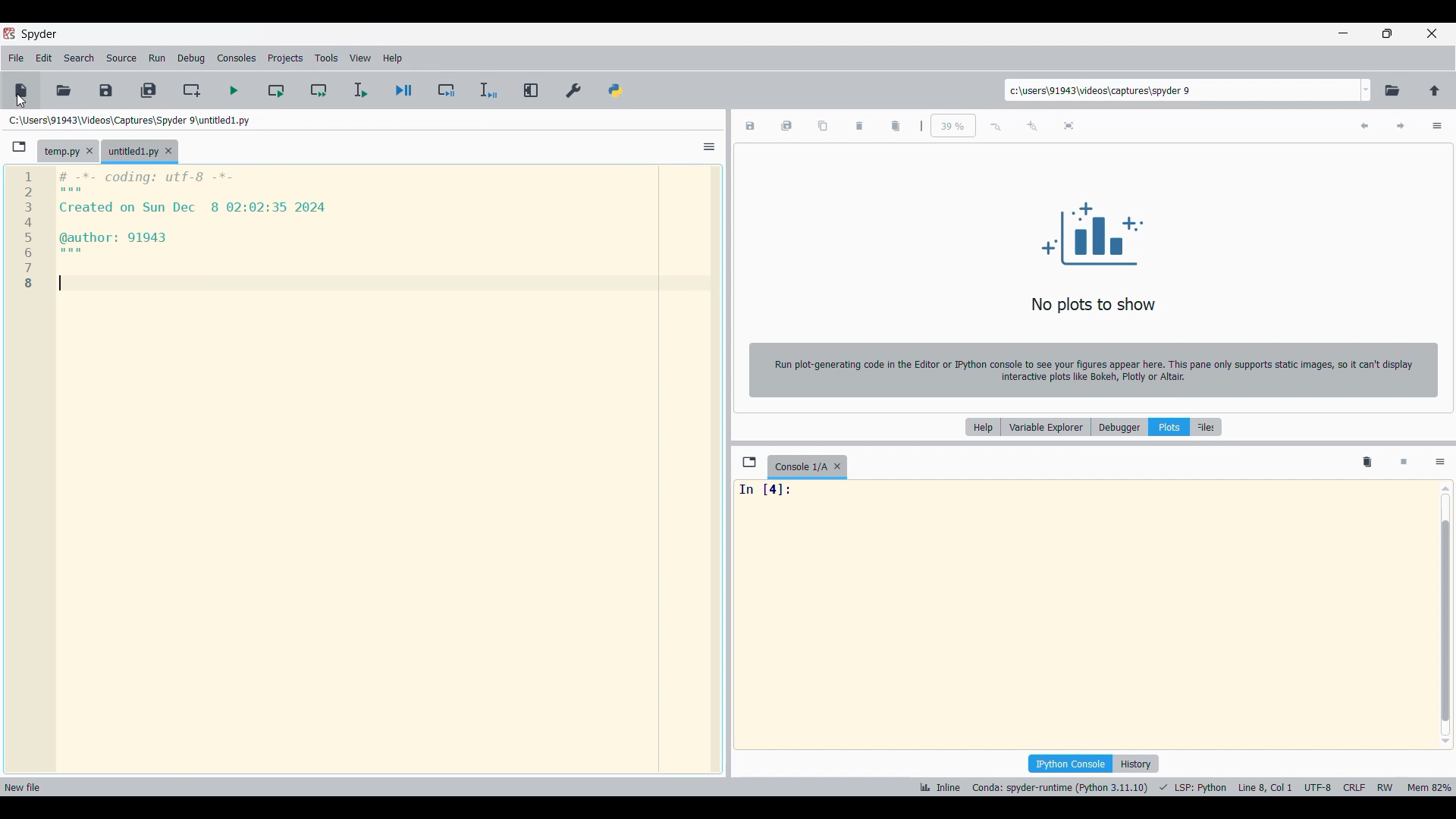 The width and height of the screenshot is (1456, 819). What do you see at coordinates (286, 58) in the screenshot?
I see `Projects menu` at bounding box center [286, 58].